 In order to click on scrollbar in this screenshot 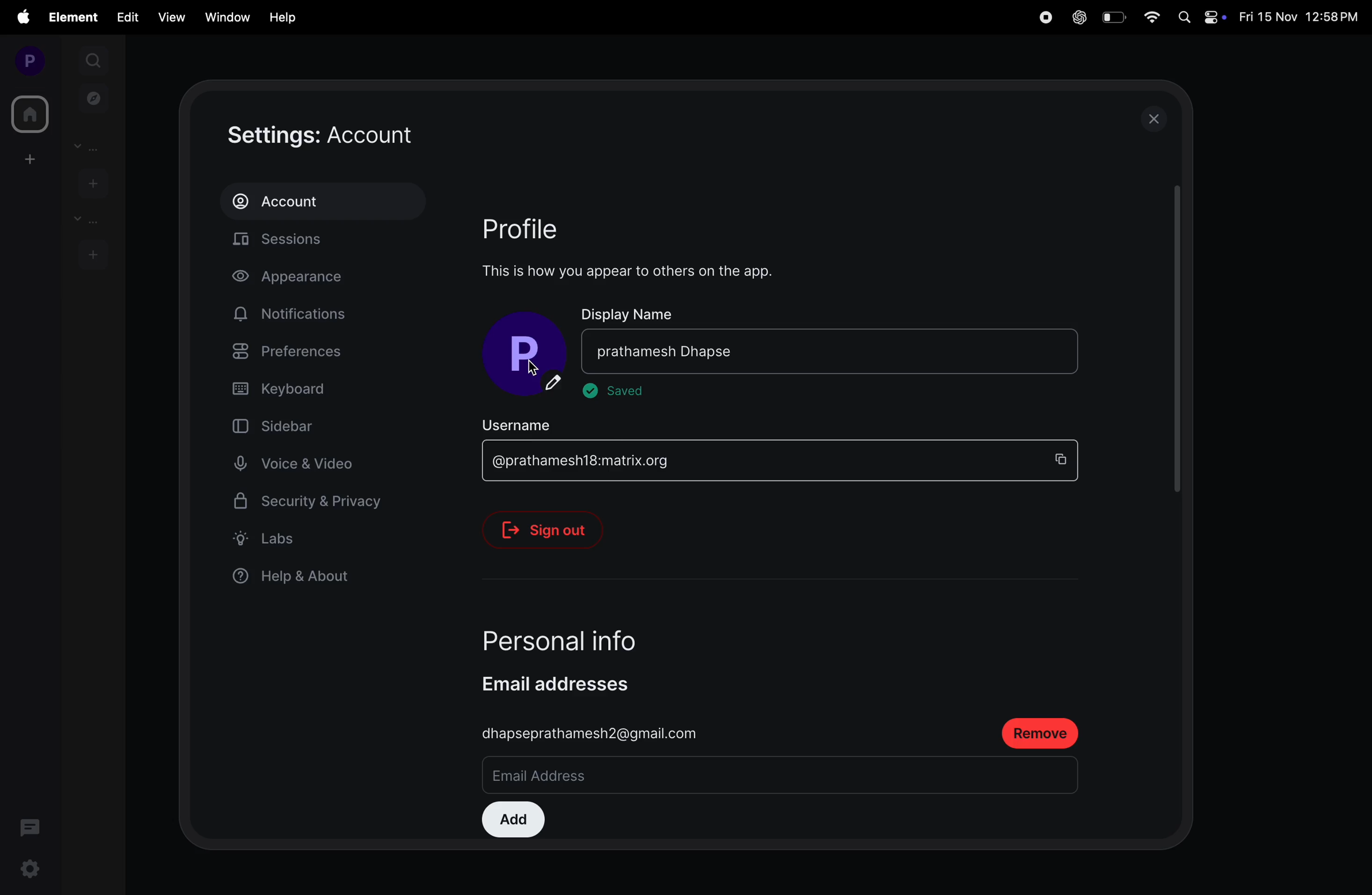, I will do `click(1175, 340)`.